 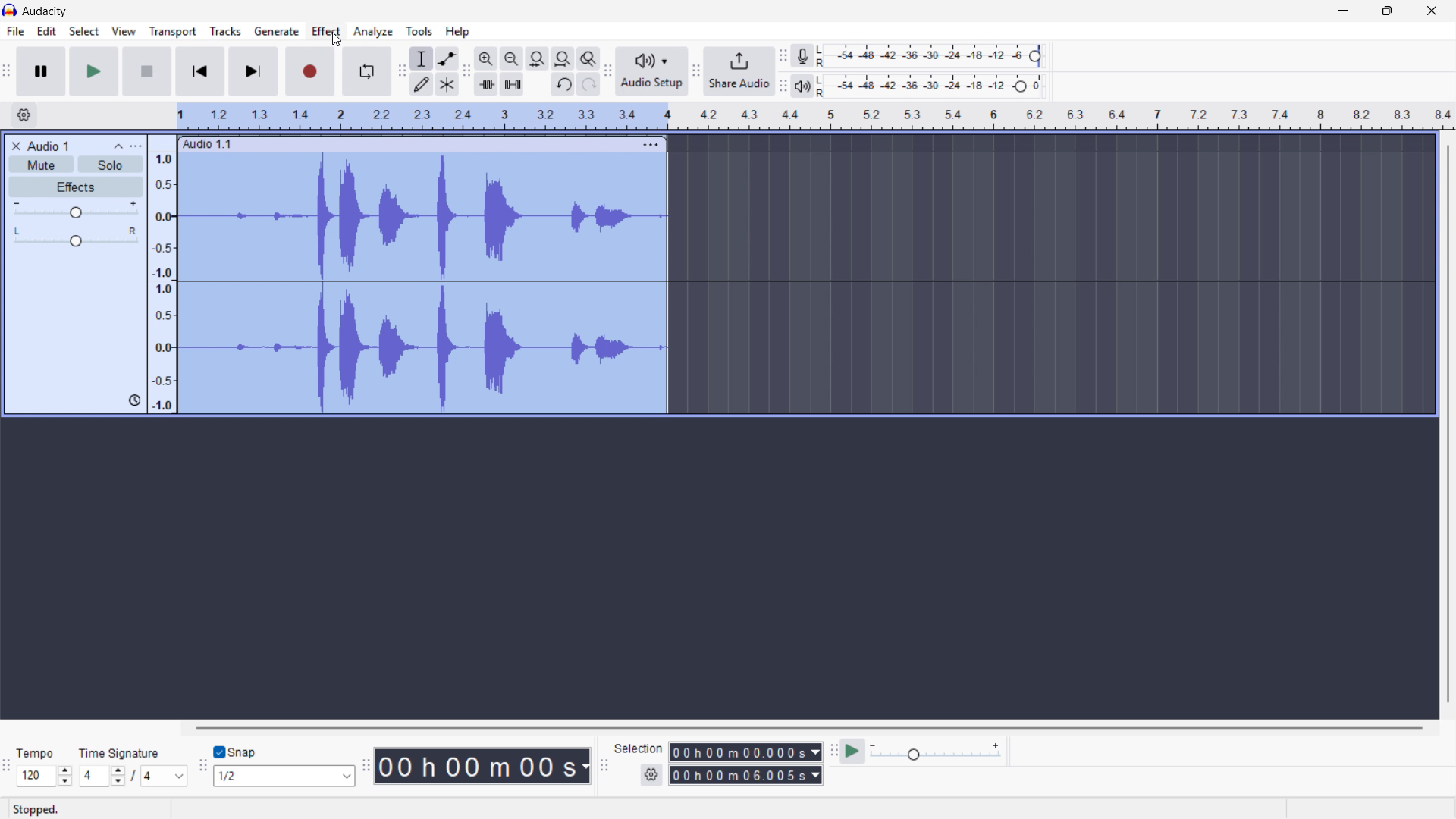 I want to click on View , so click(x=124, y=31).